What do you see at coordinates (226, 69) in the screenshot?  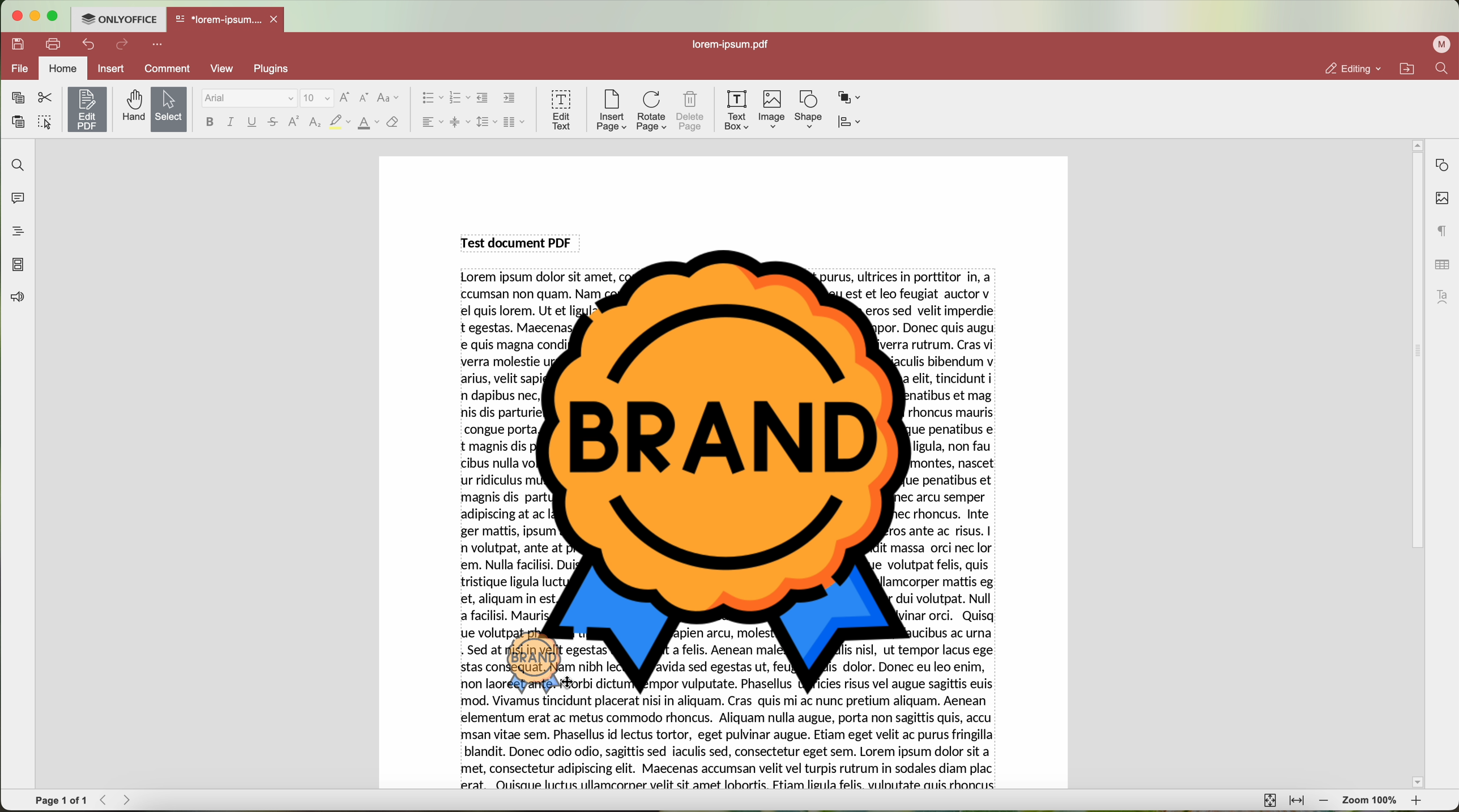 I see `view` at bounding box center [226, 69].